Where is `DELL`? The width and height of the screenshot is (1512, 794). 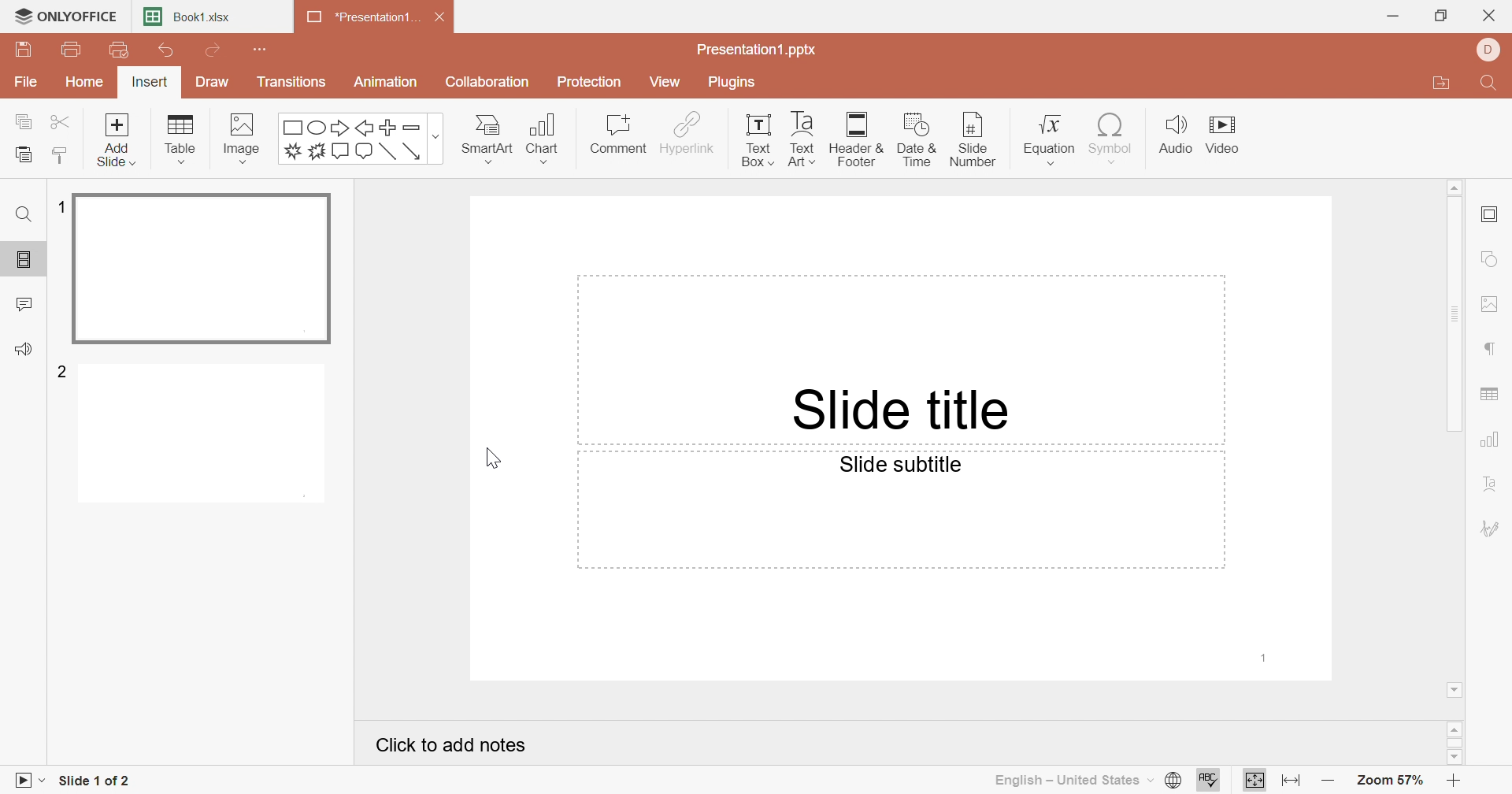 DELL is located at coordinates (1492, 50).